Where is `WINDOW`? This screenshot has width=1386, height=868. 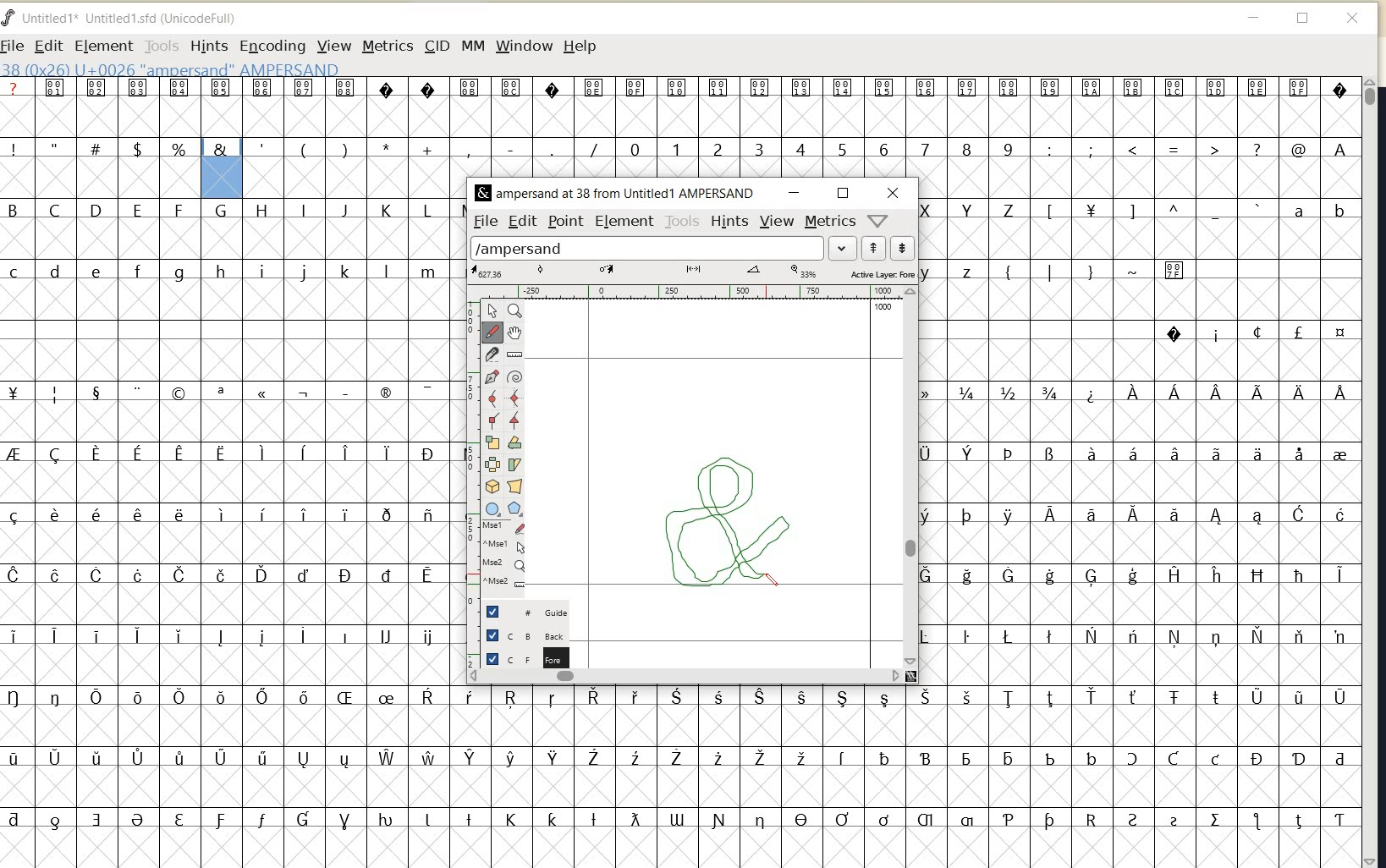
WINDOW is located at coordinates (525, 46).